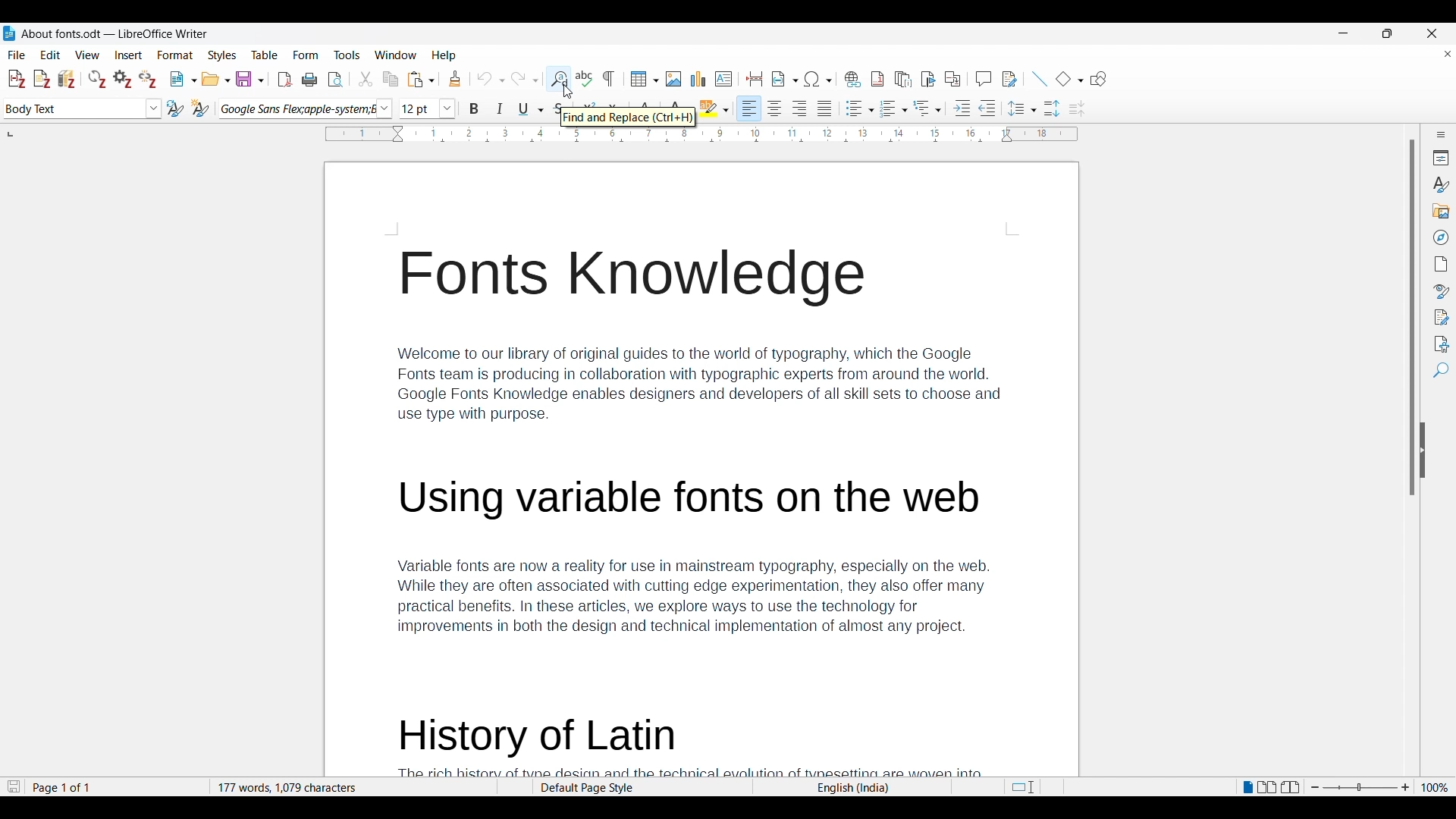 This screenshot has height=819, width=1456. Describe the element at coordinates (223, 55) in the screenshot. I see `Styles menu` at that location.